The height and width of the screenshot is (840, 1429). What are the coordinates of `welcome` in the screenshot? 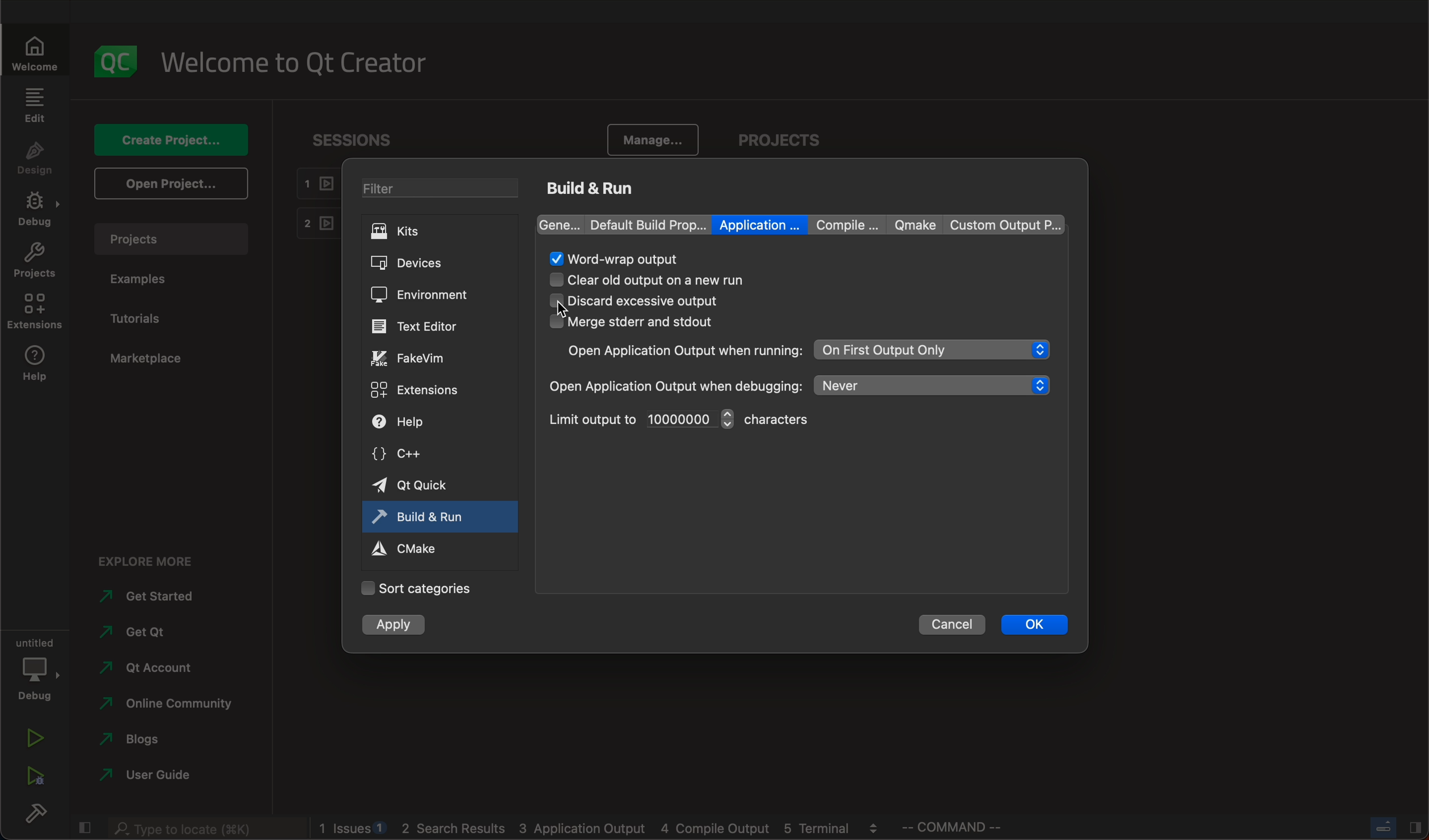 It's located at (34, 51).